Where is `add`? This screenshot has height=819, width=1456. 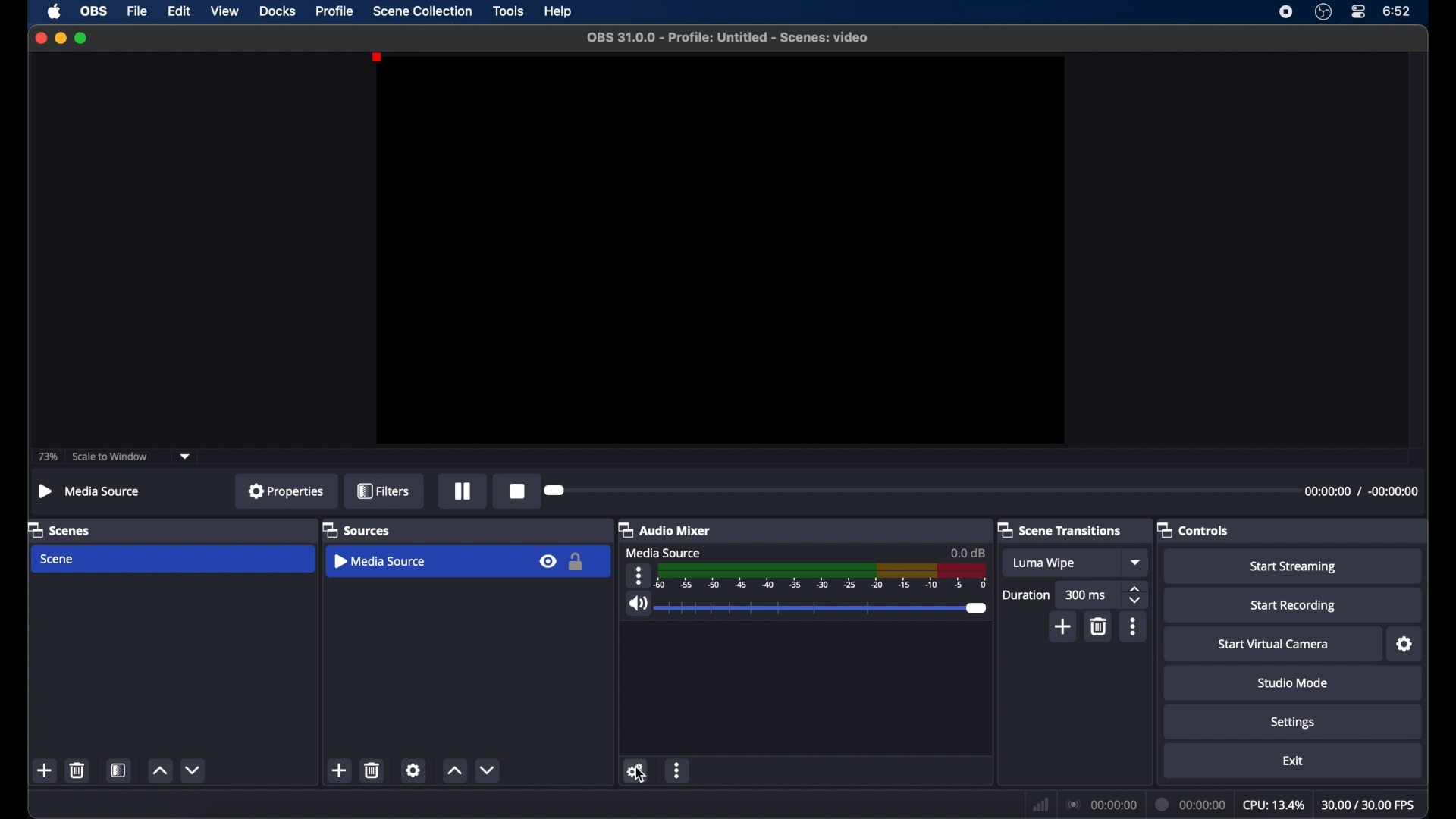
add is located at coordinates (45, 770).